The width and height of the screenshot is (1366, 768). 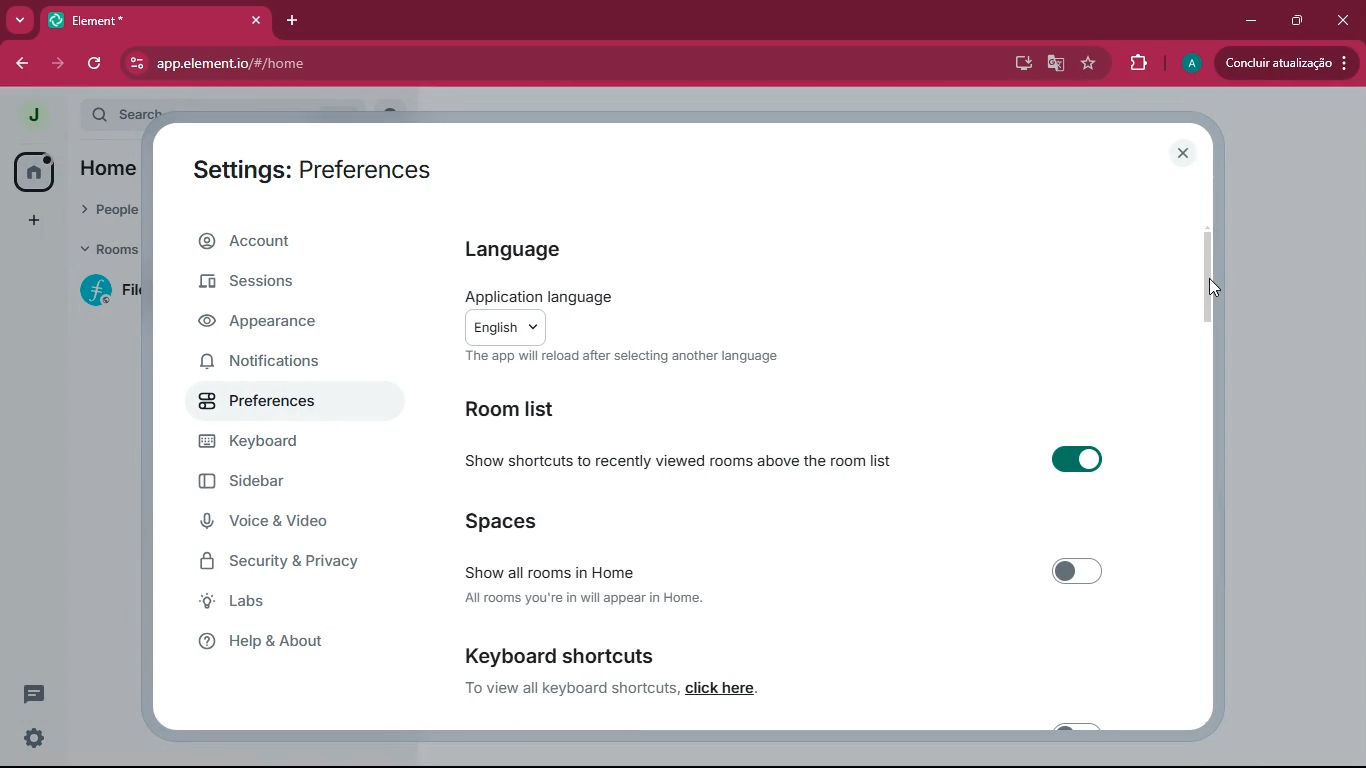 I want to click on sidebar, so click(x=276, y=483).